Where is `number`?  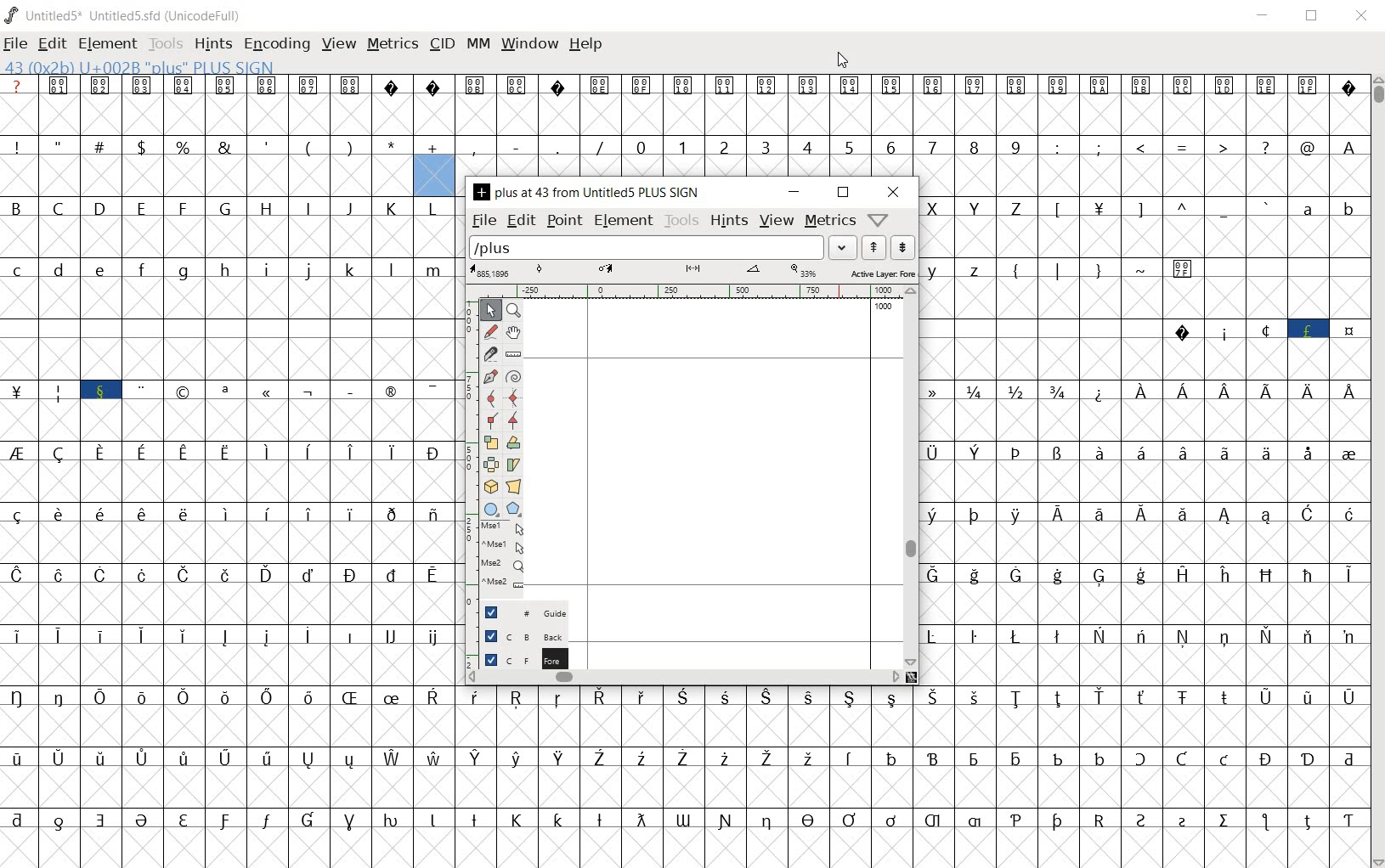 number is located at coordinates (829, 158).